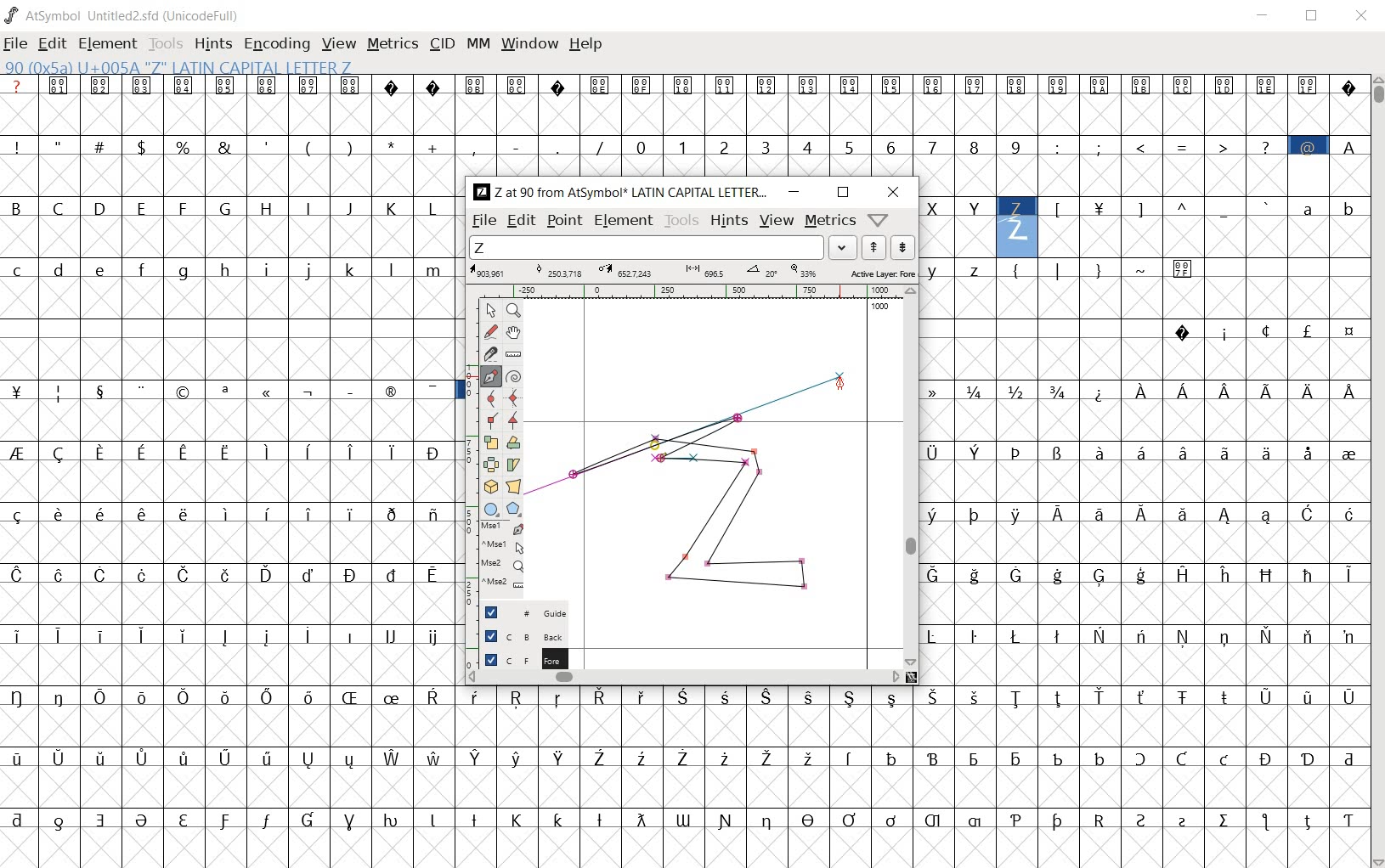  What do you see at coordinates (442, 43) in the screenshot?
I see `cid` at bounding box center [442, 43].